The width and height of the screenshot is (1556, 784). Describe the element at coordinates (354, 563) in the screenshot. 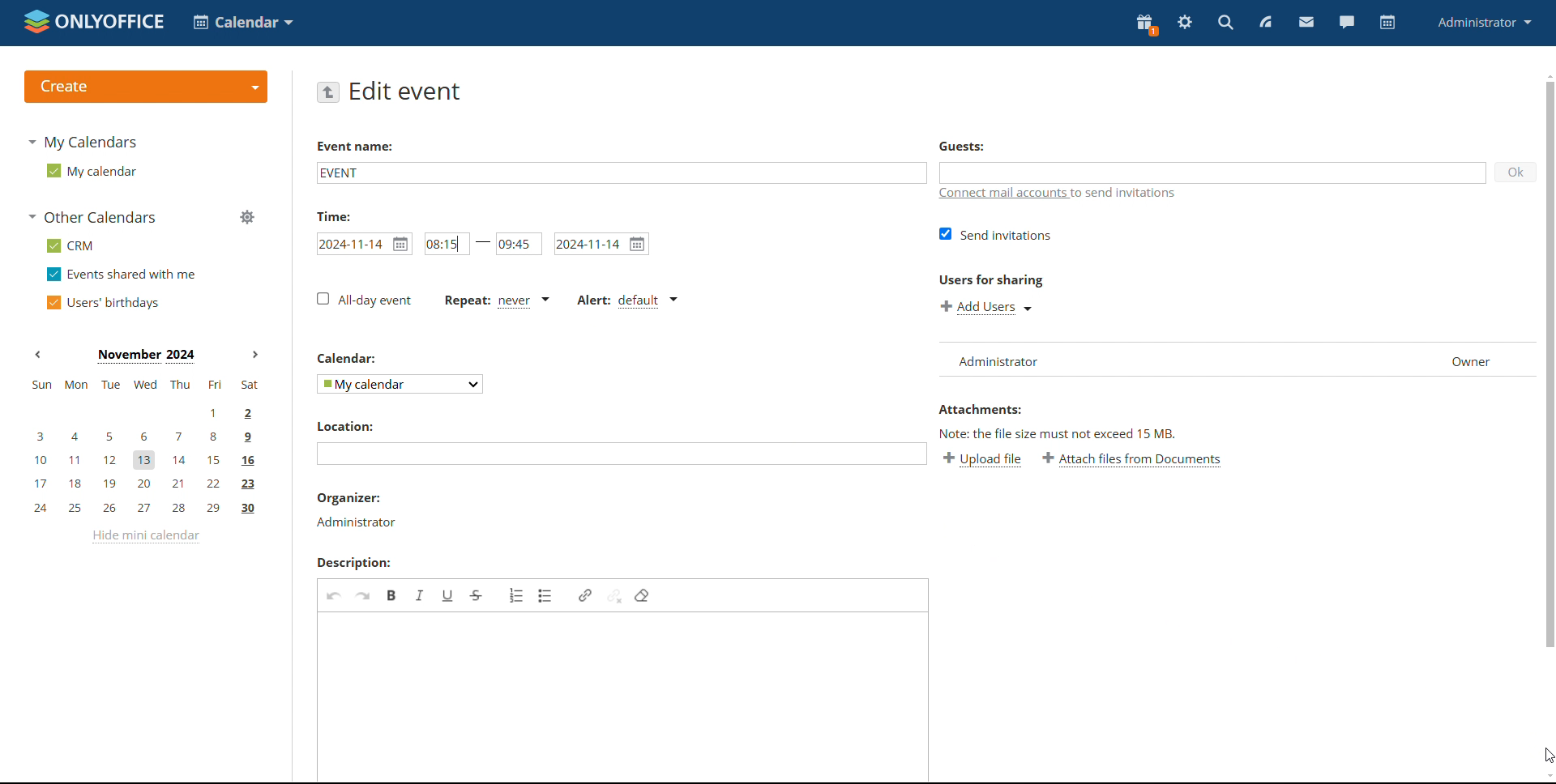

I see `description` at that location.